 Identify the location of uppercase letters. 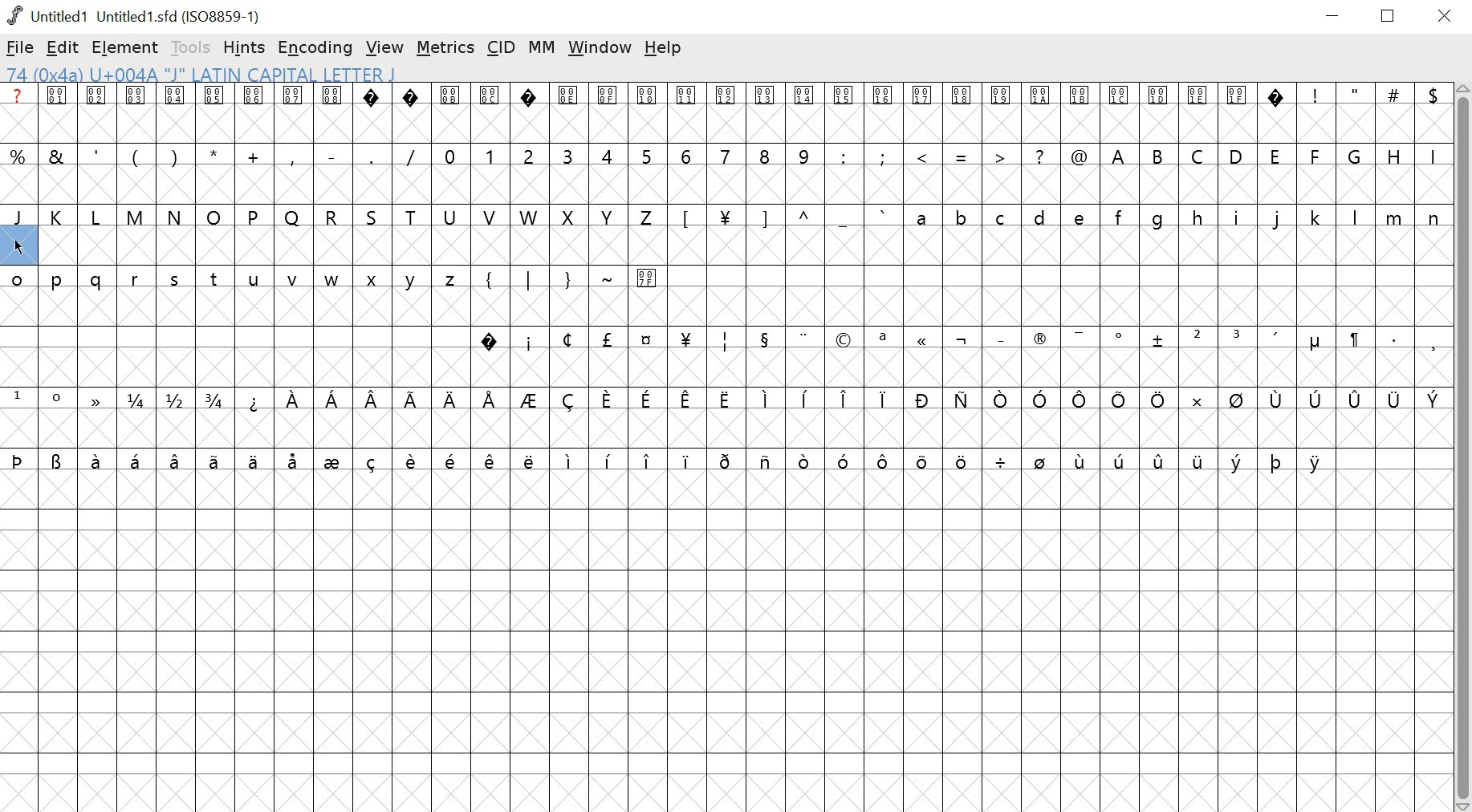
(1275, 155).